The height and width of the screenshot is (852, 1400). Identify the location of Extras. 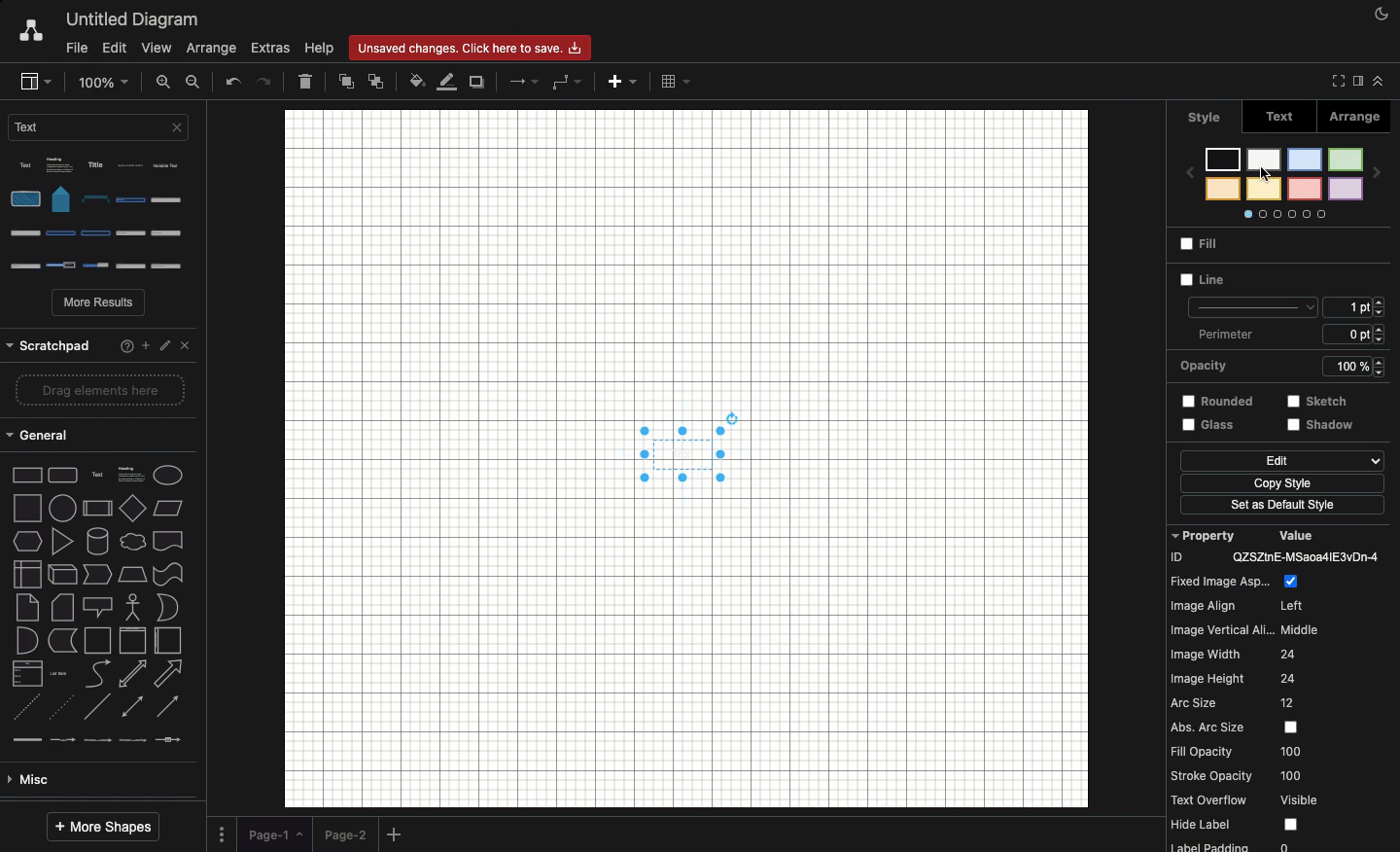
(271, 49).